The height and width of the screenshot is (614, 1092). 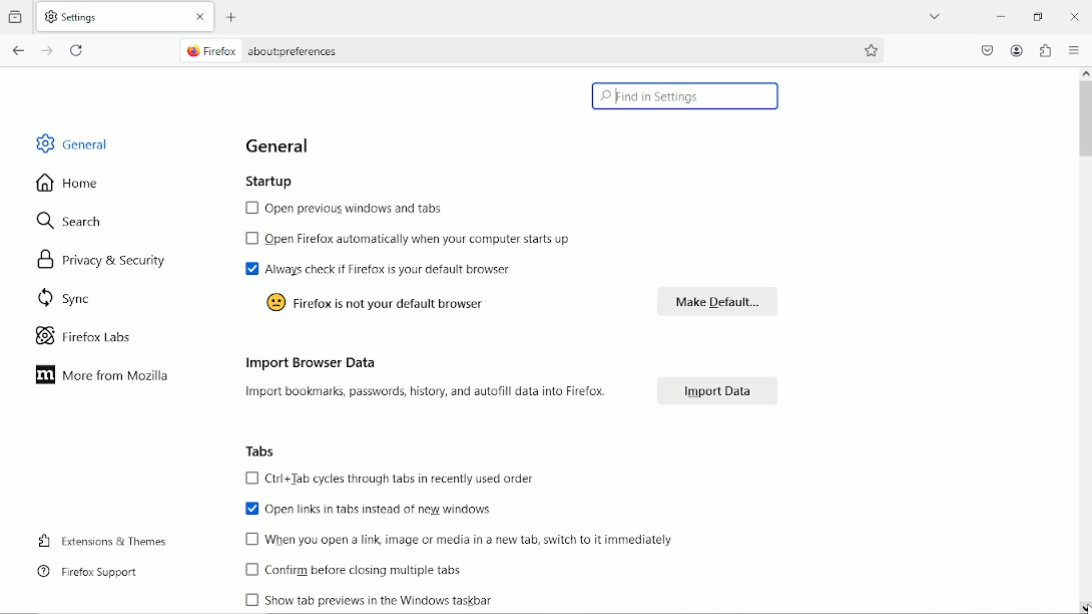 I want to click on go forward, so click(x=47, y=51).